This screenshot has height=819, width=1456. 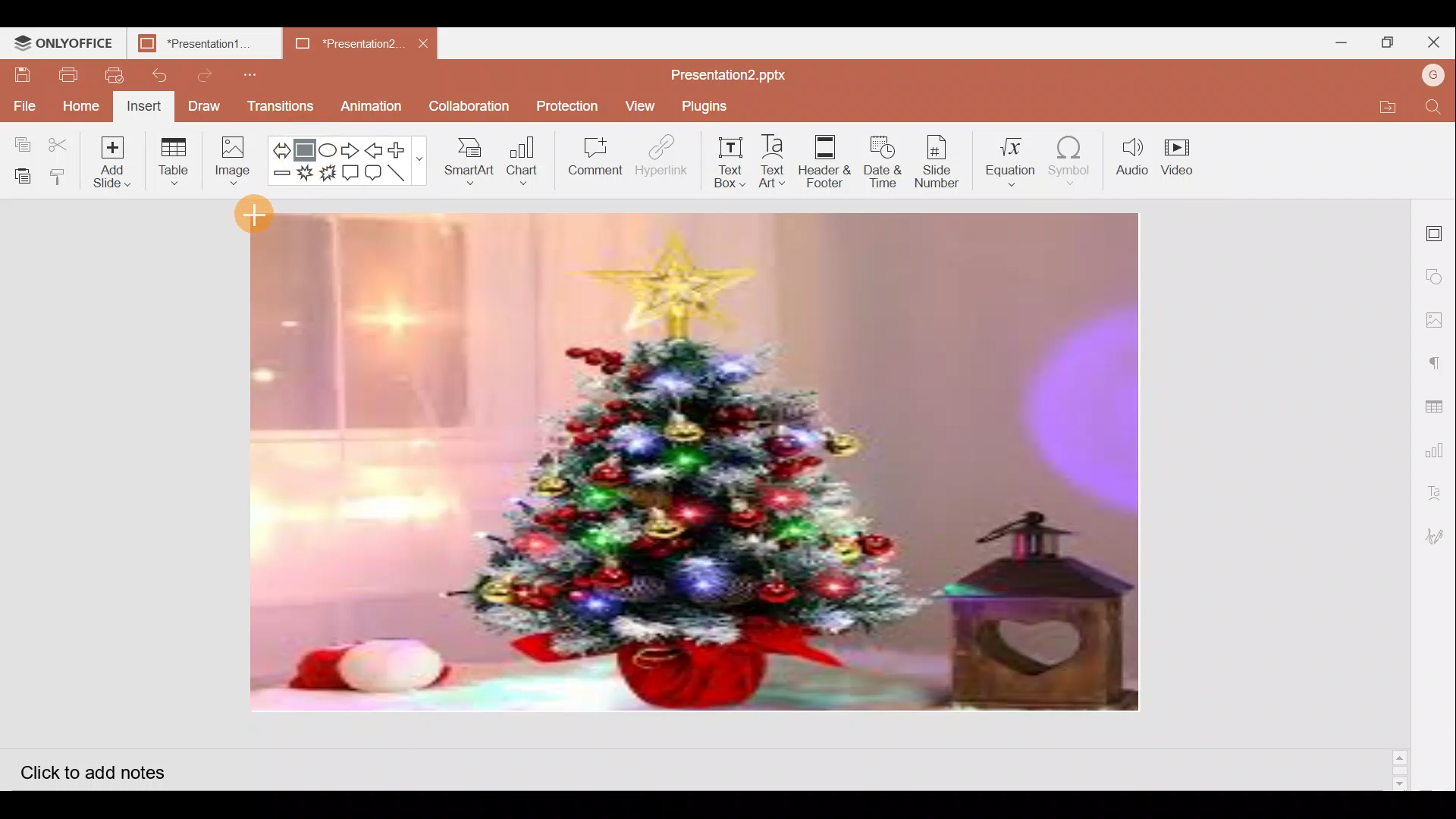 What do you see at coordinates (824, 164) in the screenshot?
I see `Header & footer` at bounding box center [824, 164].